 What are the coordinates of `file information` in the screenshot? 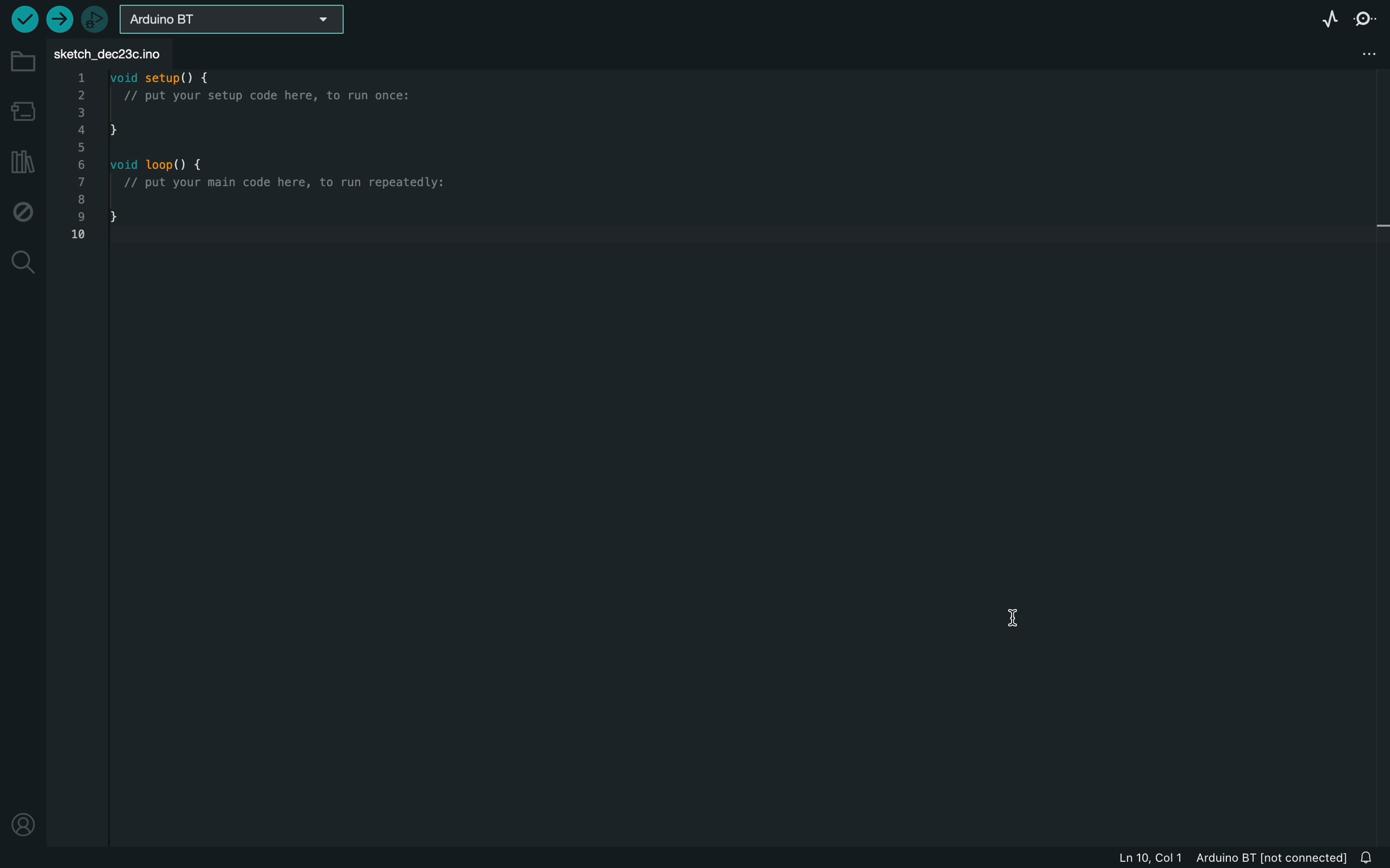 It's located at (1230, 857).